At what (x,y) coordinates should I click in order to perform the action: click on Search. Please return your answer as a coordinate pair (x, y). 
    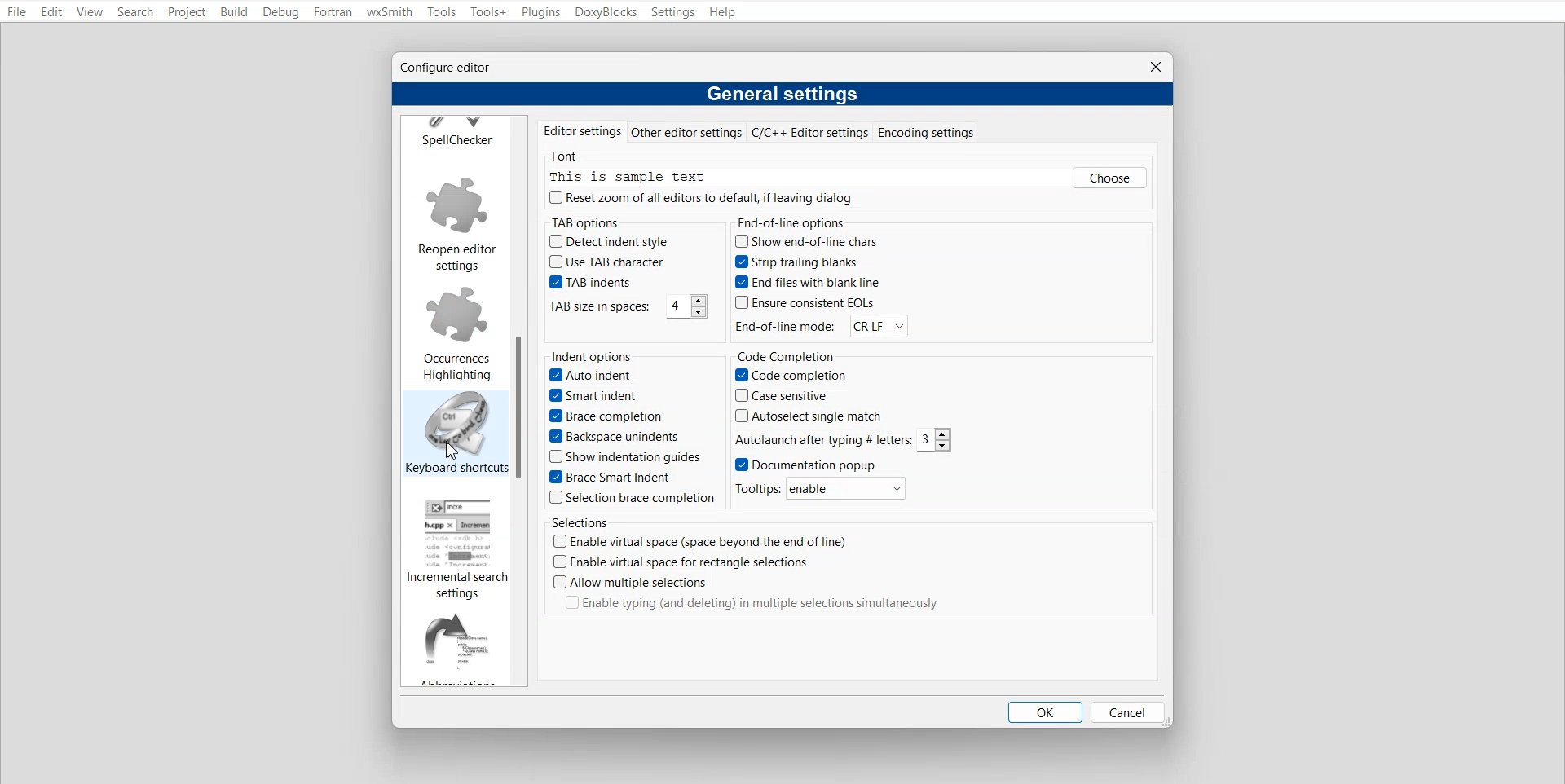
    Looking at the image, I should click on (135, 12).